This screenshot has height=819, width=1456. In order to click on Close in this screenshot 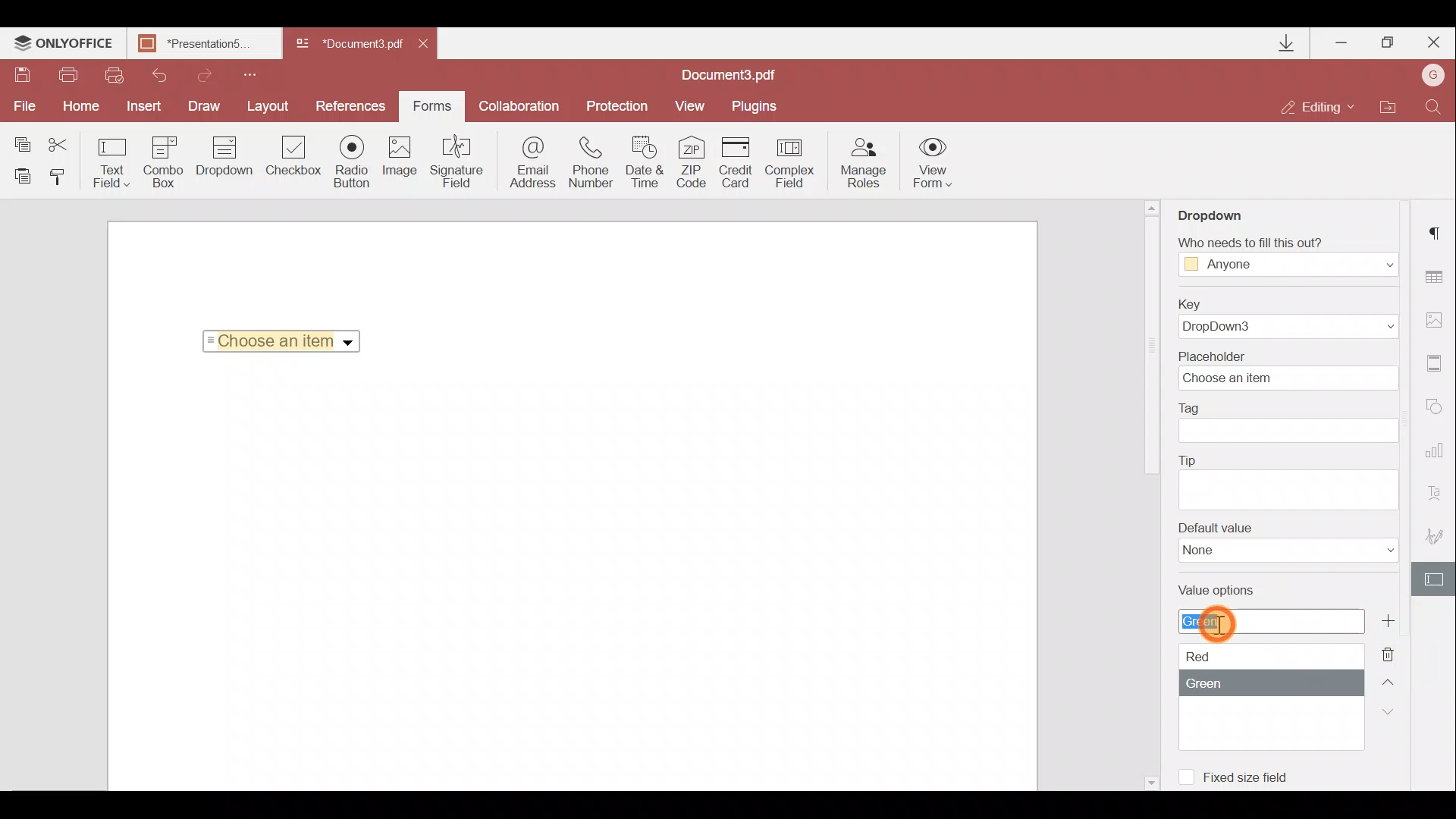, I will do `click(431, 47)`.